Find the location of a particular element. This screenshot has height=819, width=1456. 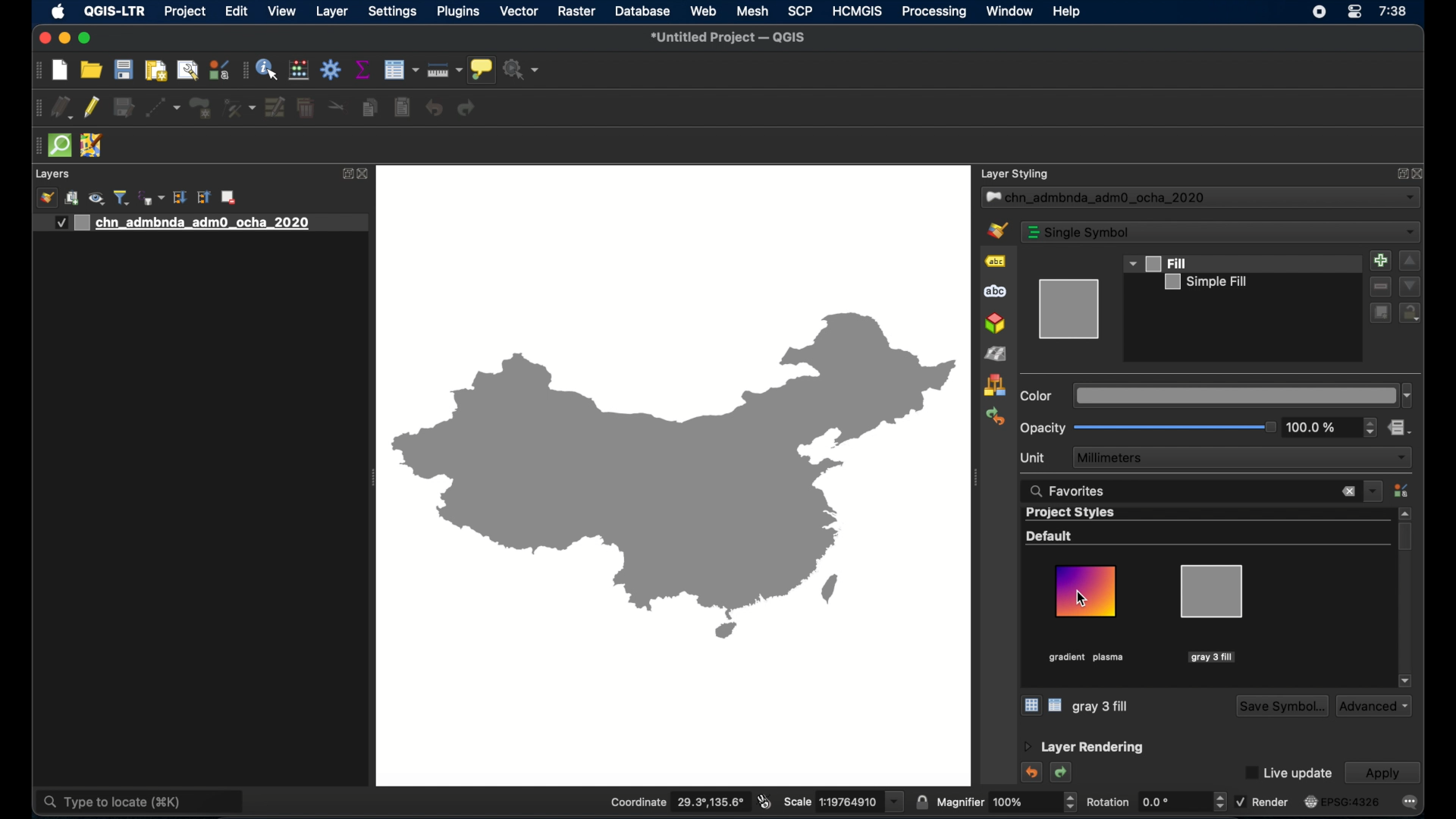

gray 3 fill is located at coordinates (1210, 613).